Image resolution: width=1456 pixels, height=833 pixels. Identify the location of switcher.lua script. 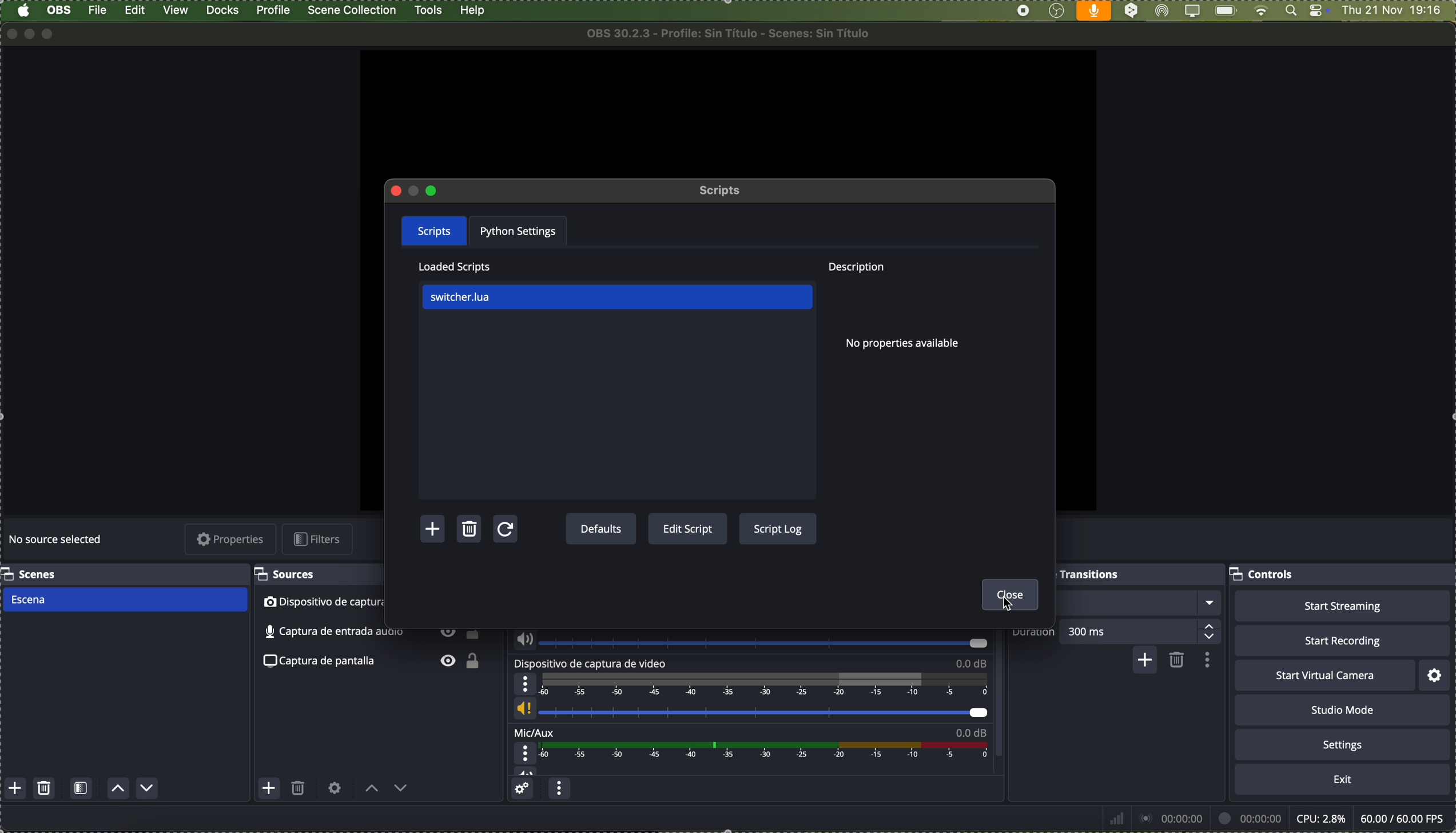
(617, 298).